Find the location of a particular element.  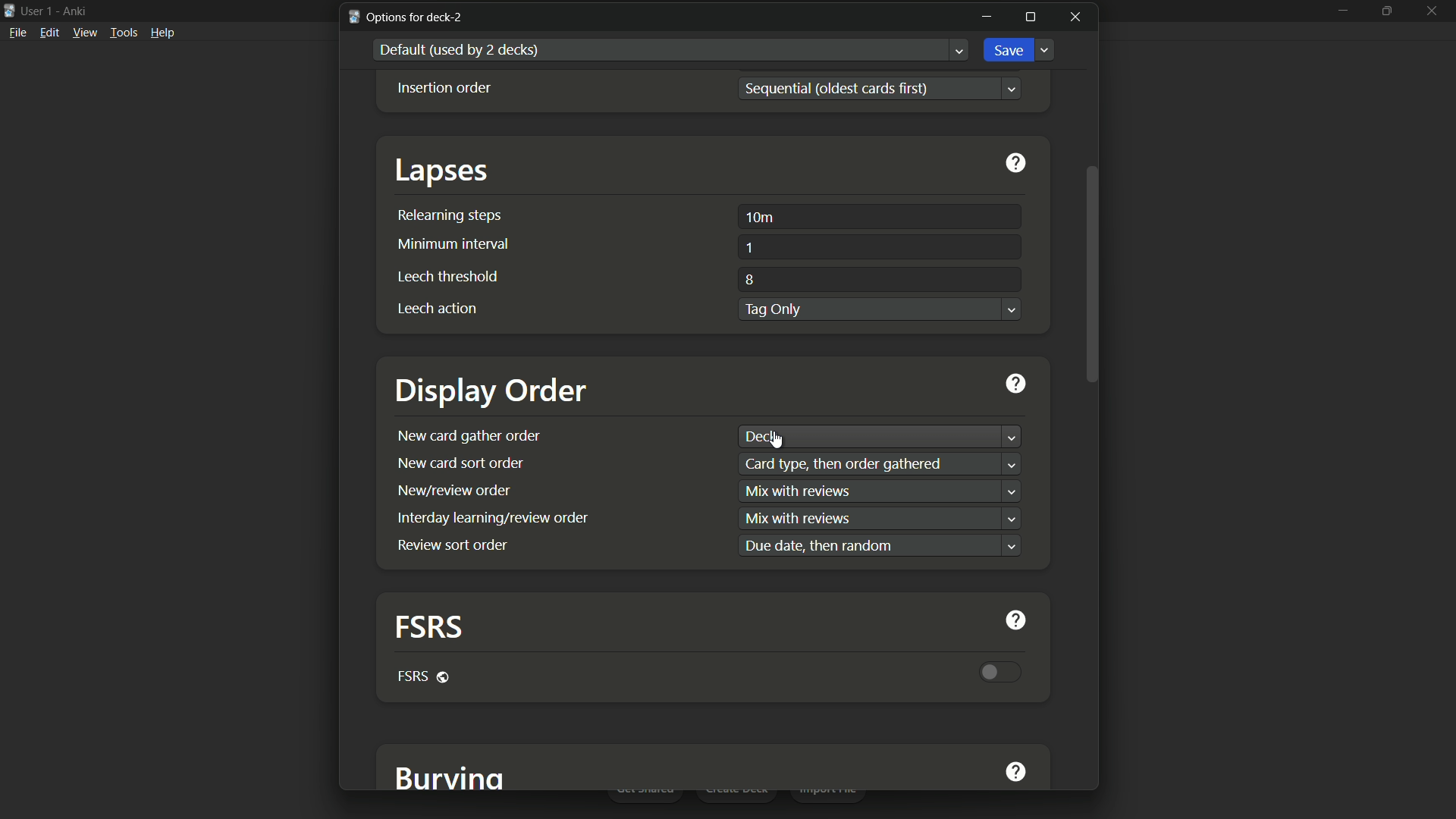

review sort order is located at coordinates (452, 544).